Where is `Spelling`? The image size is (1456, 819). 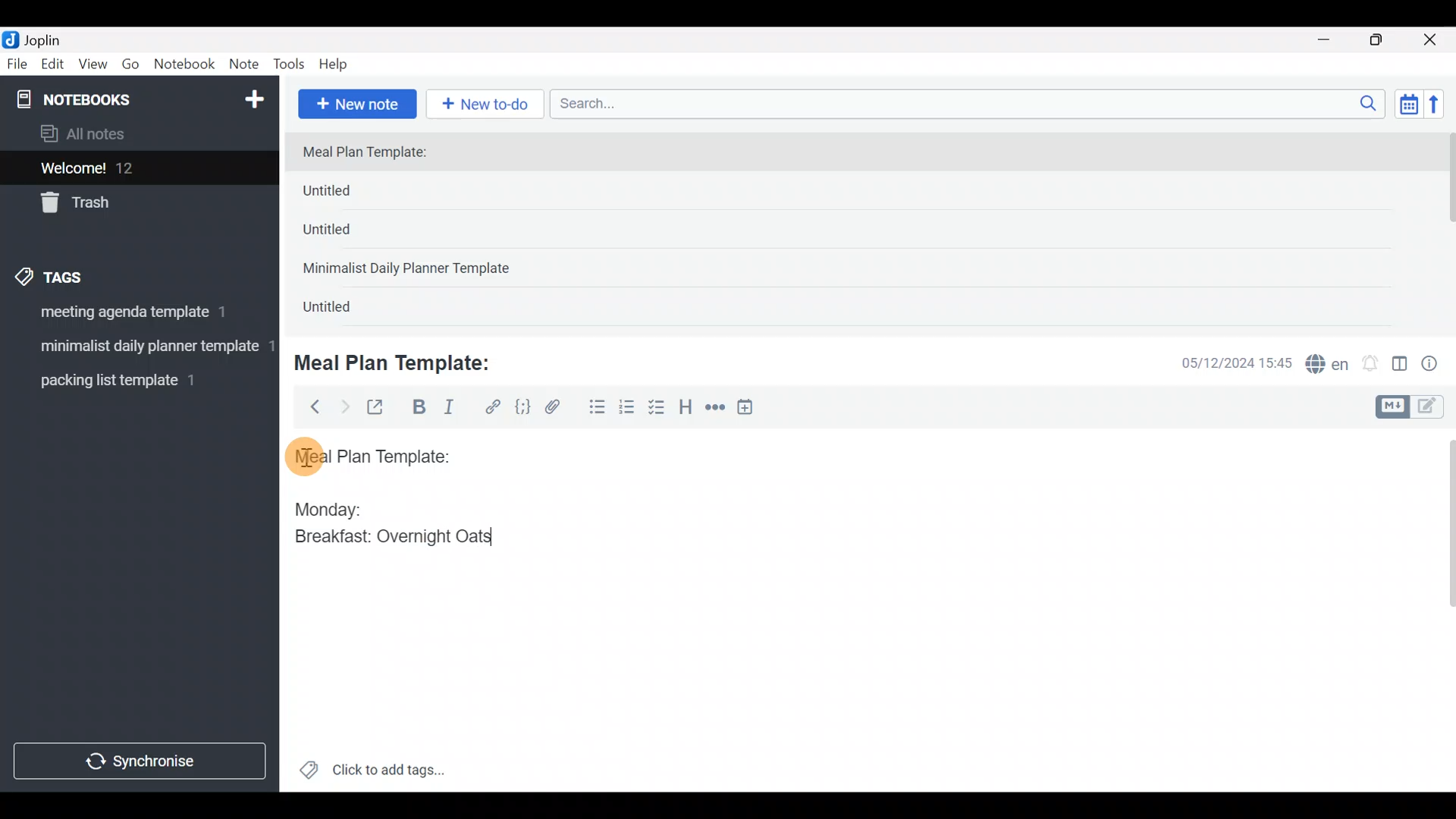
Spelling is located at coordinates (1328, 366).